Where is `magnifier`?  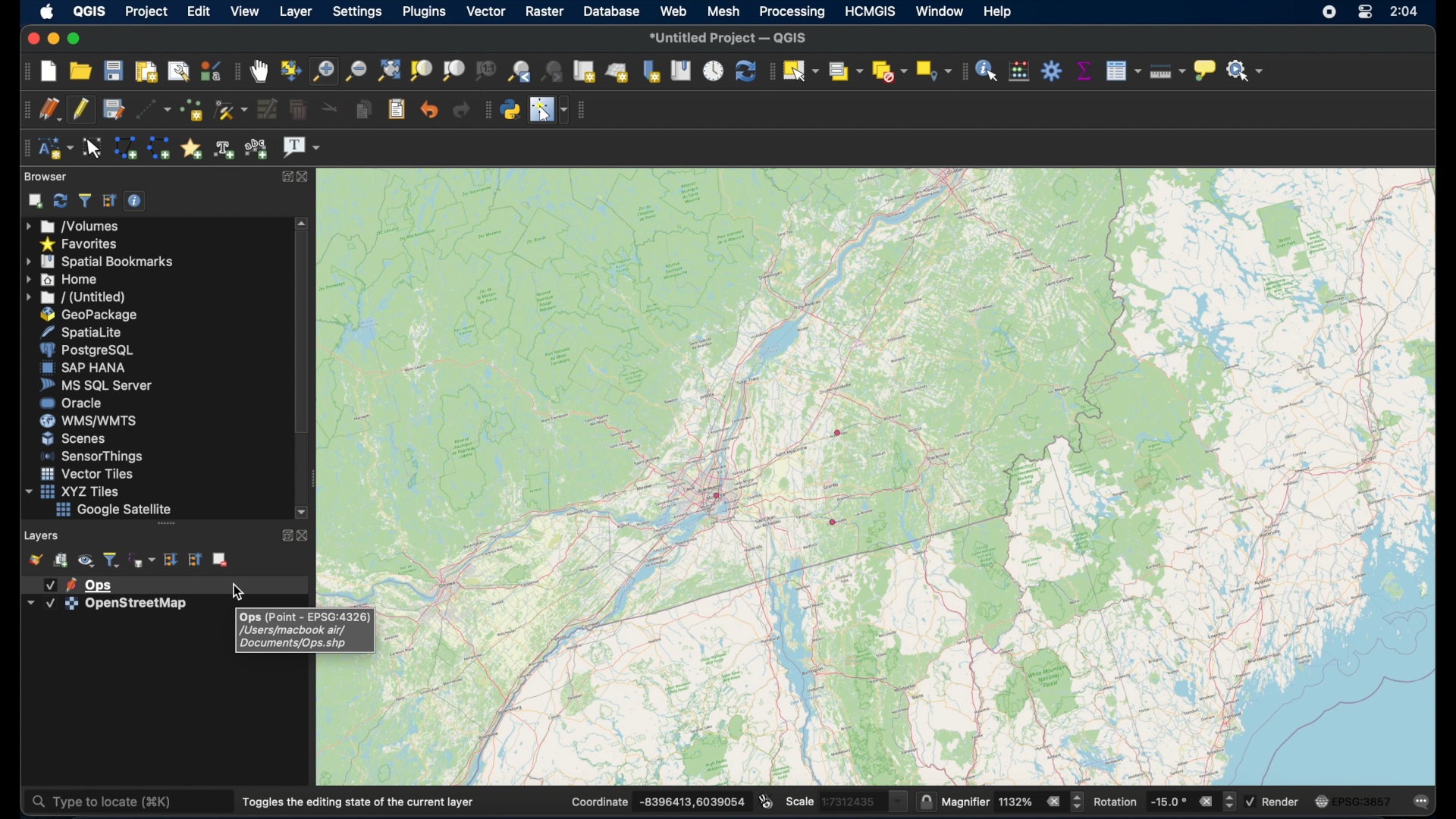 magnifier is located at coordinates (1012, 800).